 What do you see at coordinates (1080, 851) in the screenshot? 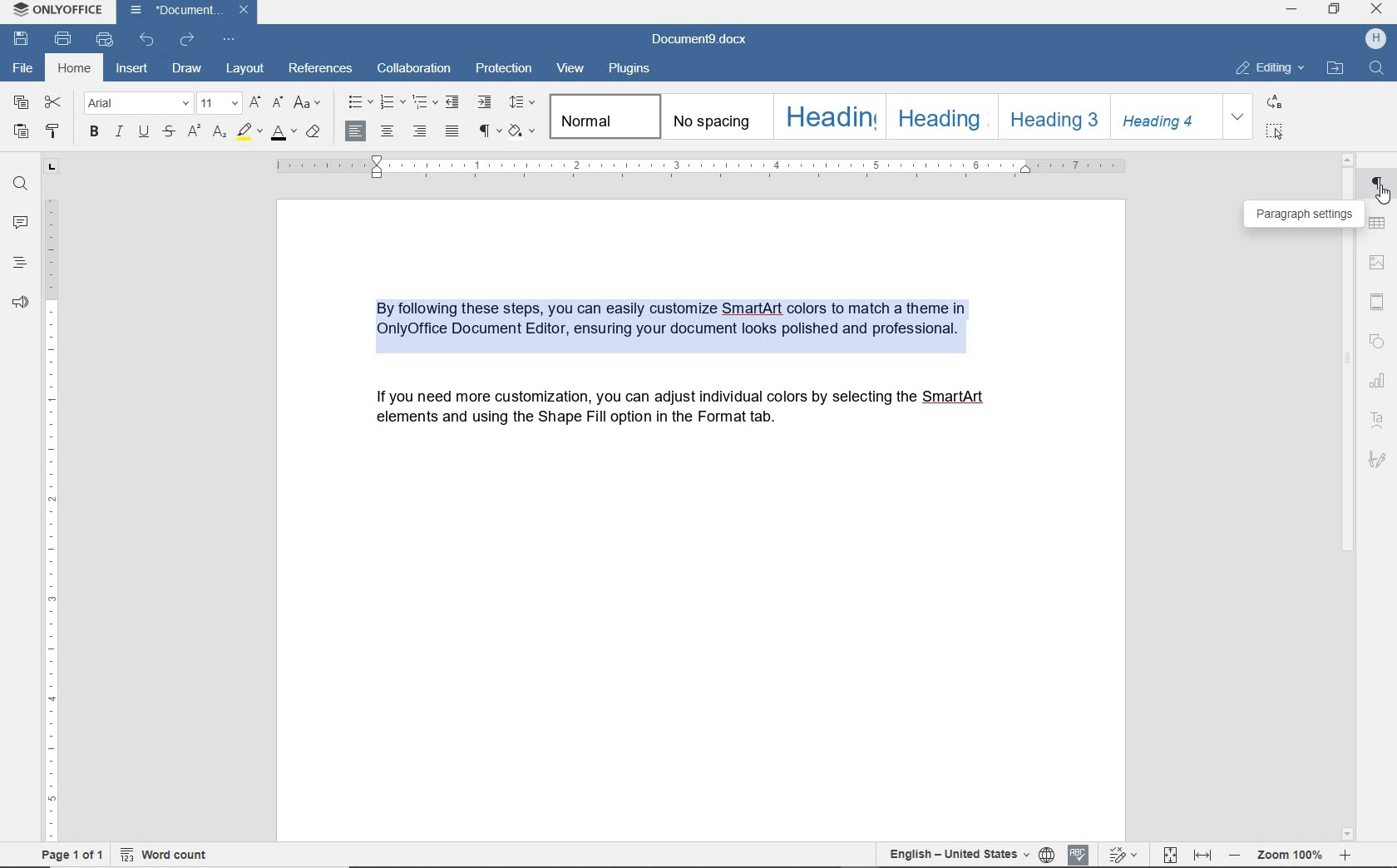
I see `spell checking` at bounding box center [1080, 851].